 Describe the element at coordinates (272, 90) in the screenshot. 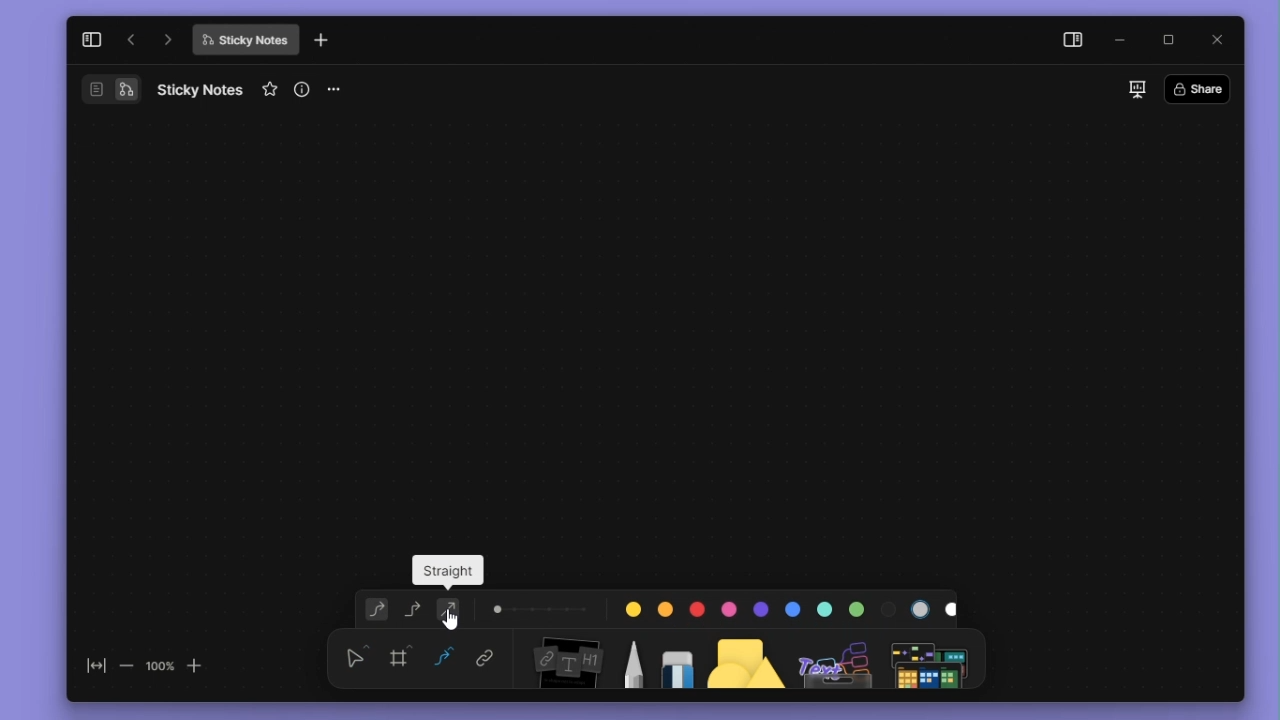

I see `favourite` at that location.